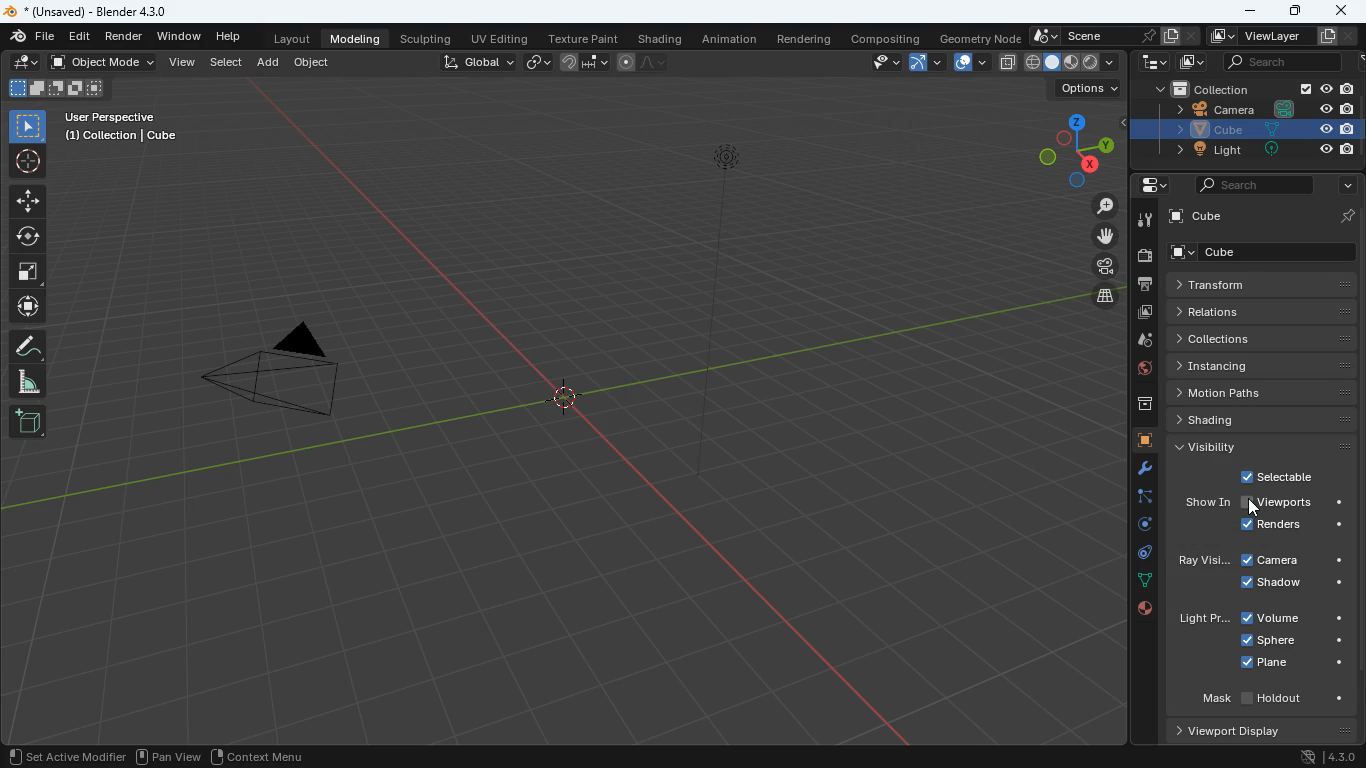 This screenshot has height=768, width=1366. I want to click on plane, so click(1295, 665).